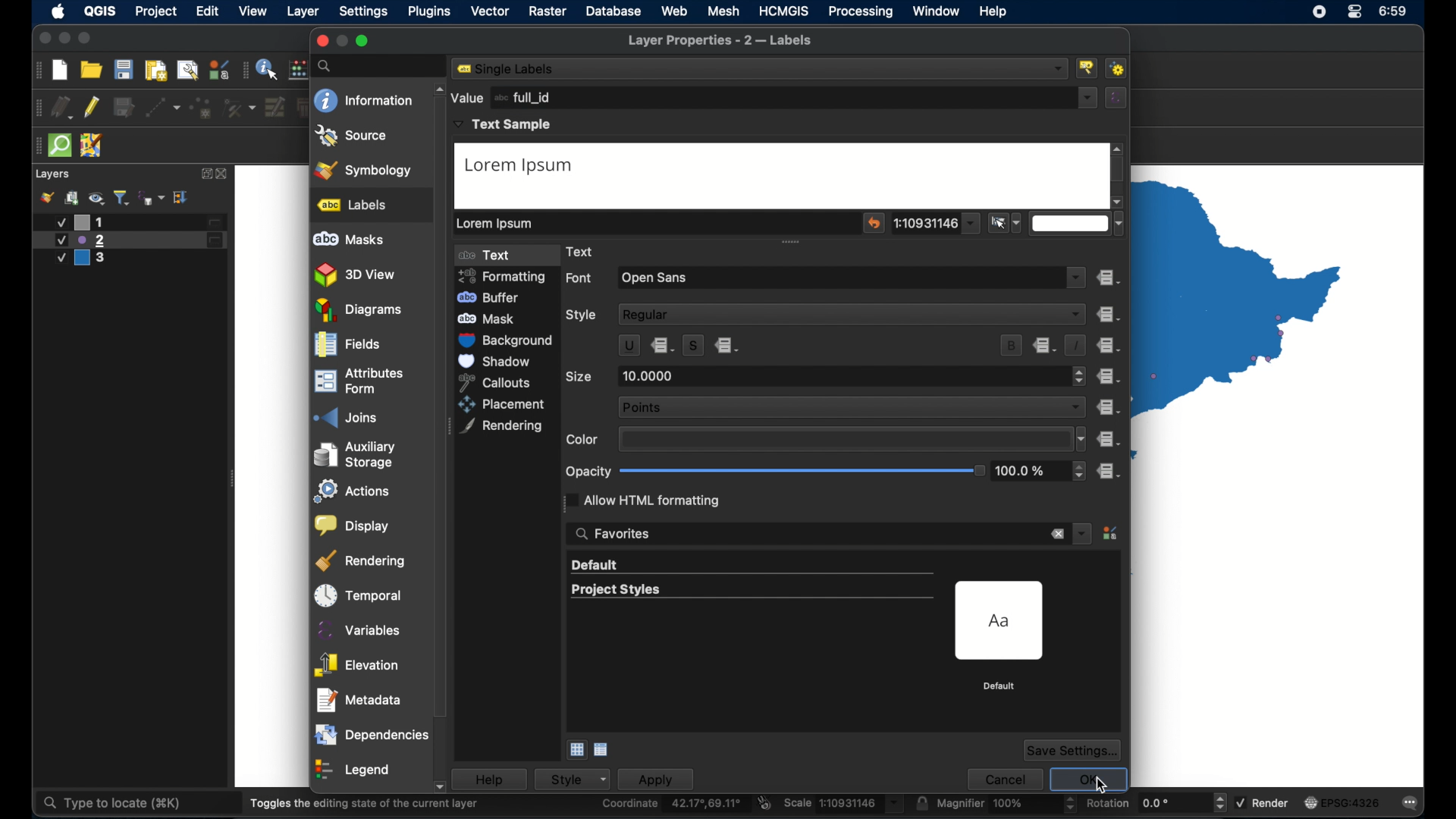 The image size is (1456, 819). What do you see at coordinates (793, 243) in the screenshot?
I see `drag handle` at bounding box center [793, 243].